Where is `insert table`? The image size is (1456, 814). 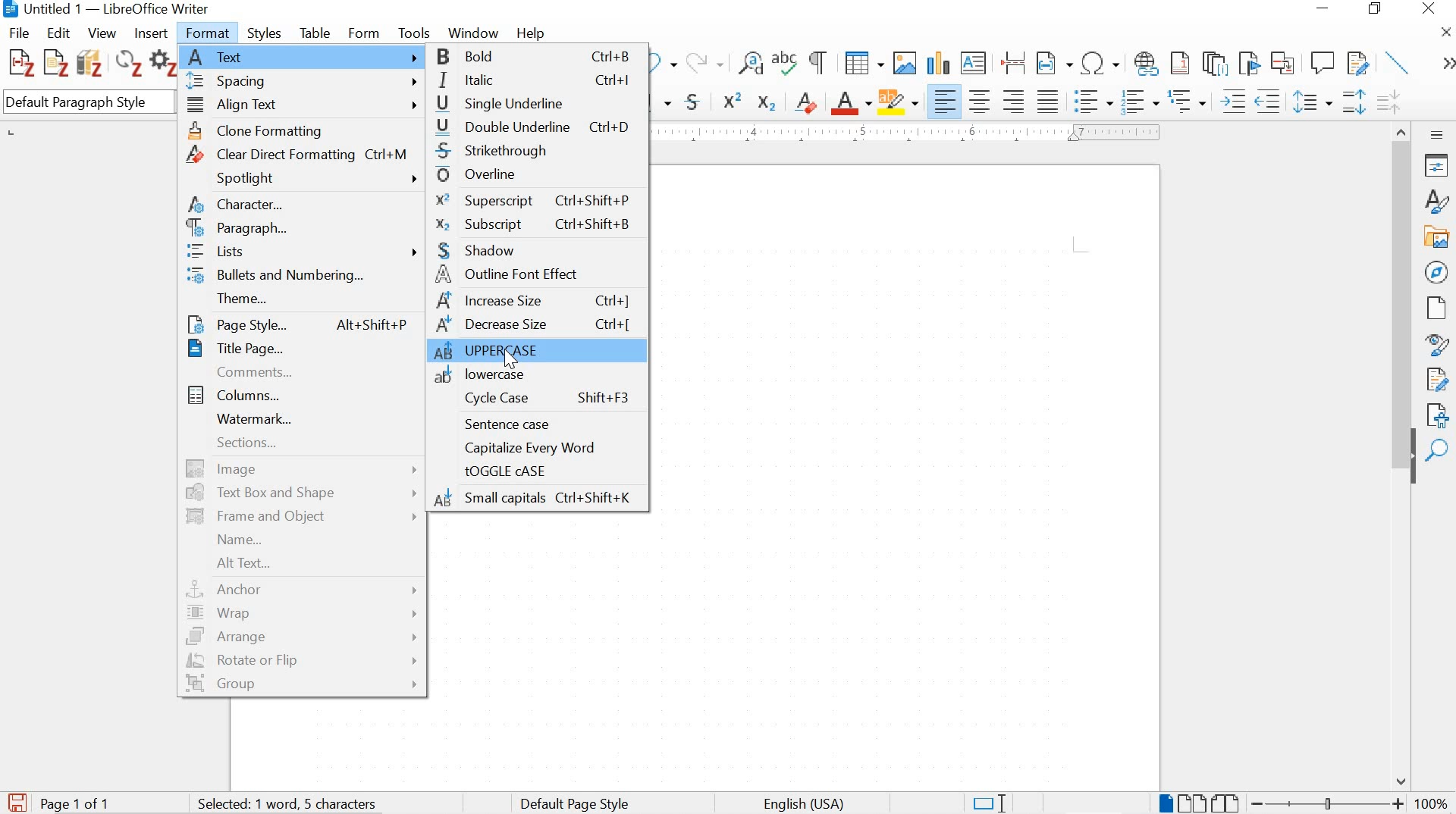 insert table is located at coordinates (864, 64).